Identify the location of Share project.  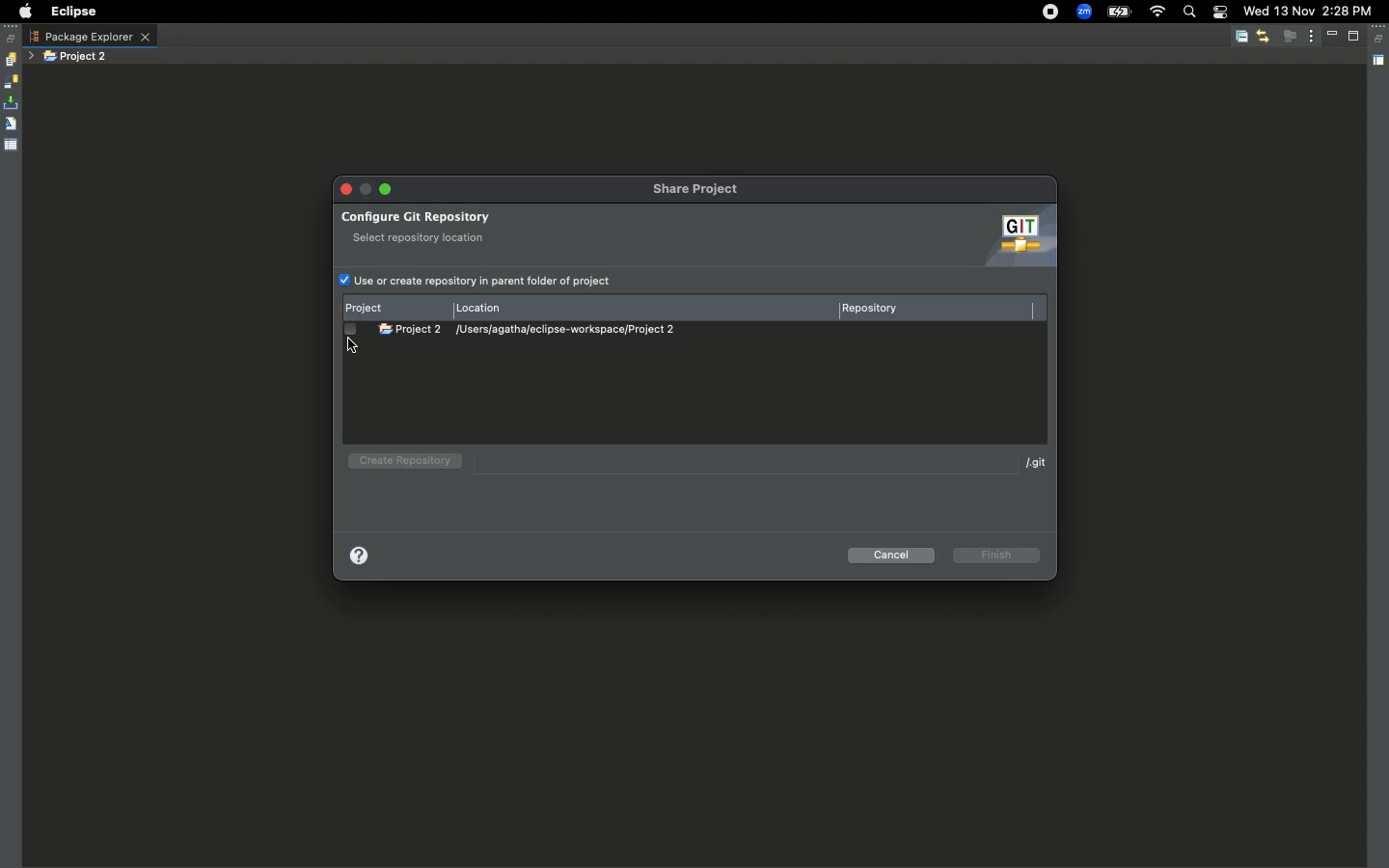
(698, 190).